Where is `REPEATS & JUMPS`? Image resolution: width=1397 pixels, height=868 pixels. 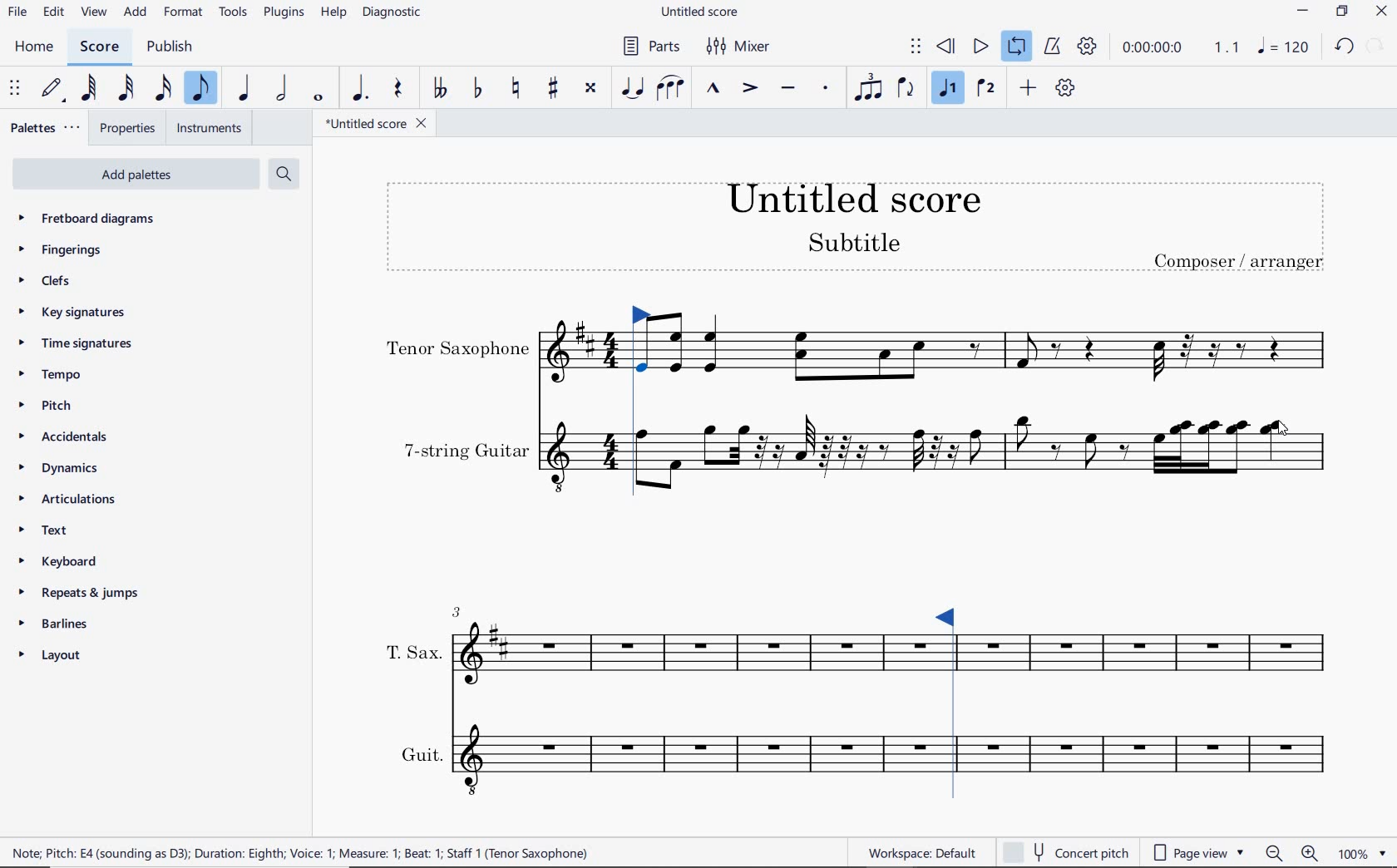
REPEATS & JUMPS is located at coordinates (81, 595).